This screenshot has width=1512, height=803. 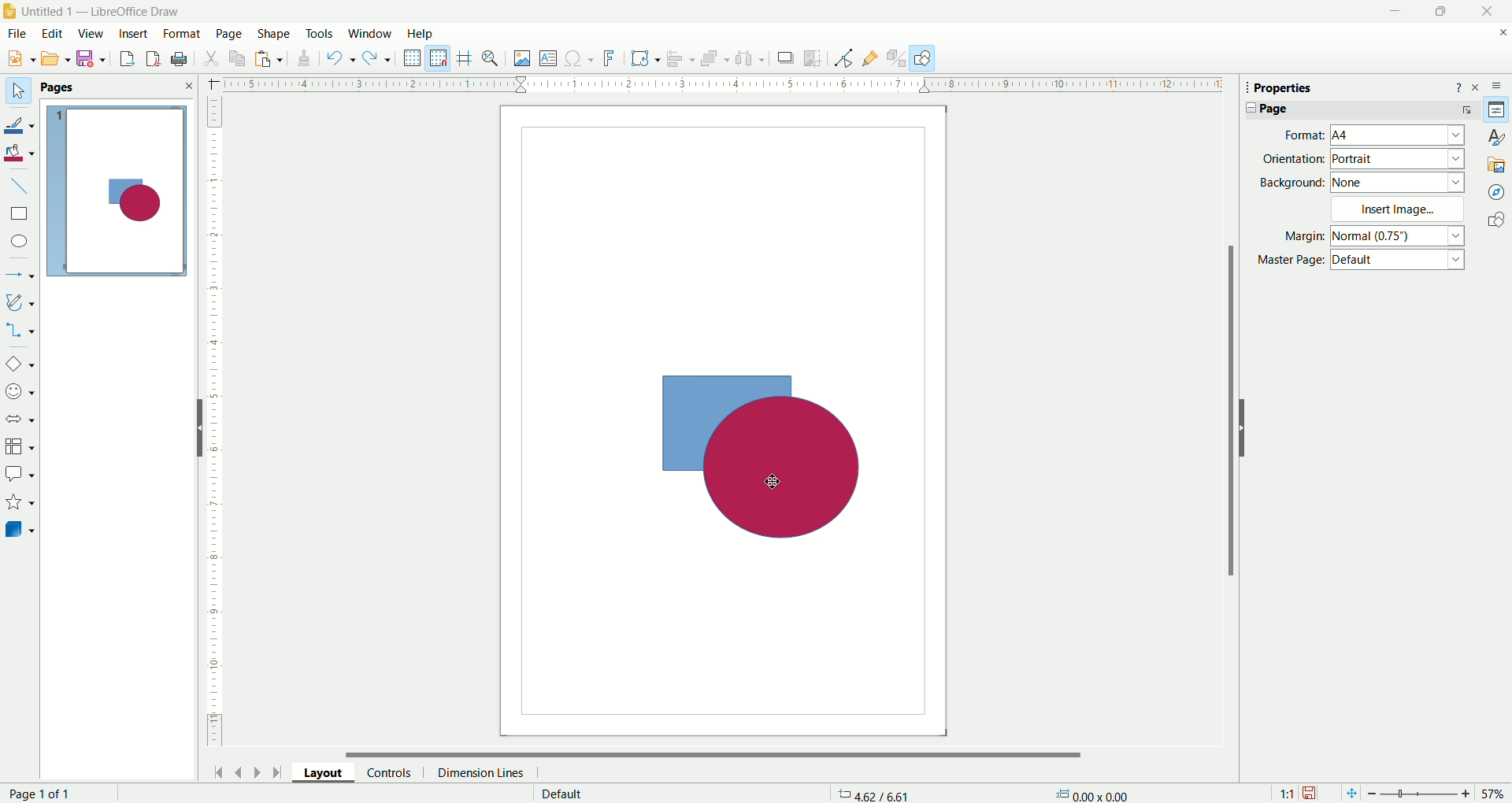 I want to click on insert image, so click(x=522, y=59).